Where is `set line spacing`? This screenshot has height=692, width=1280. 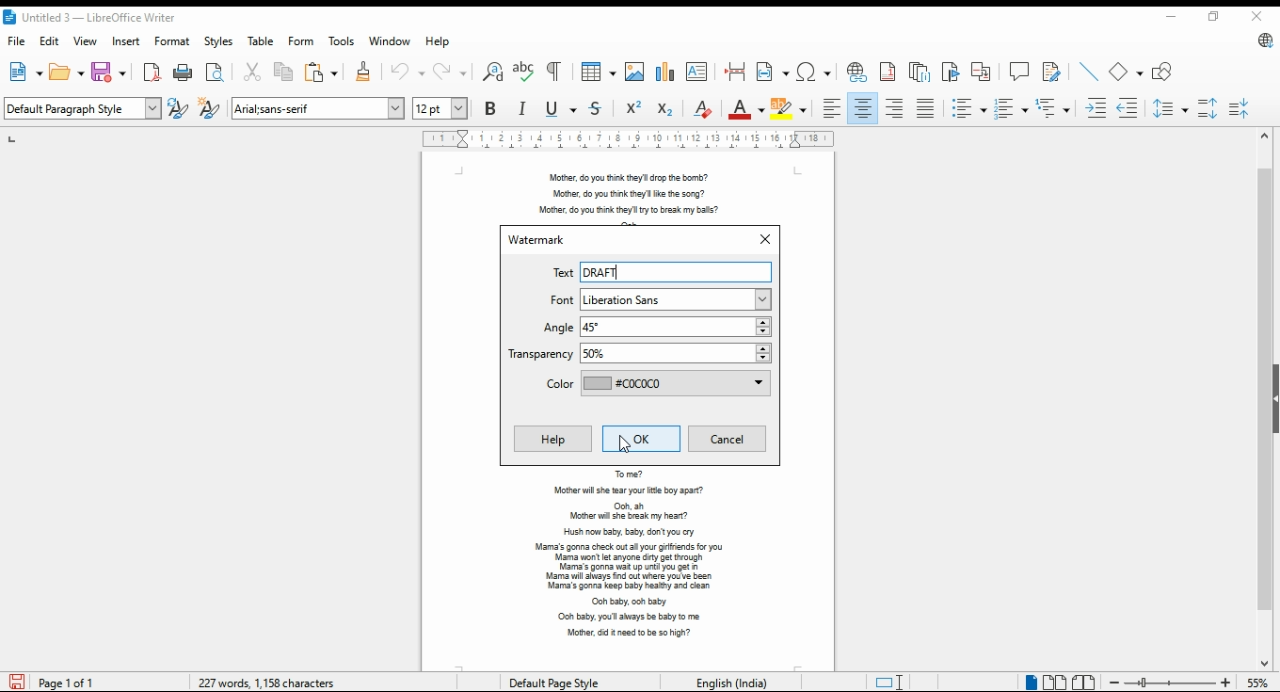
set line spacing is located at coordinates (1170, 109).